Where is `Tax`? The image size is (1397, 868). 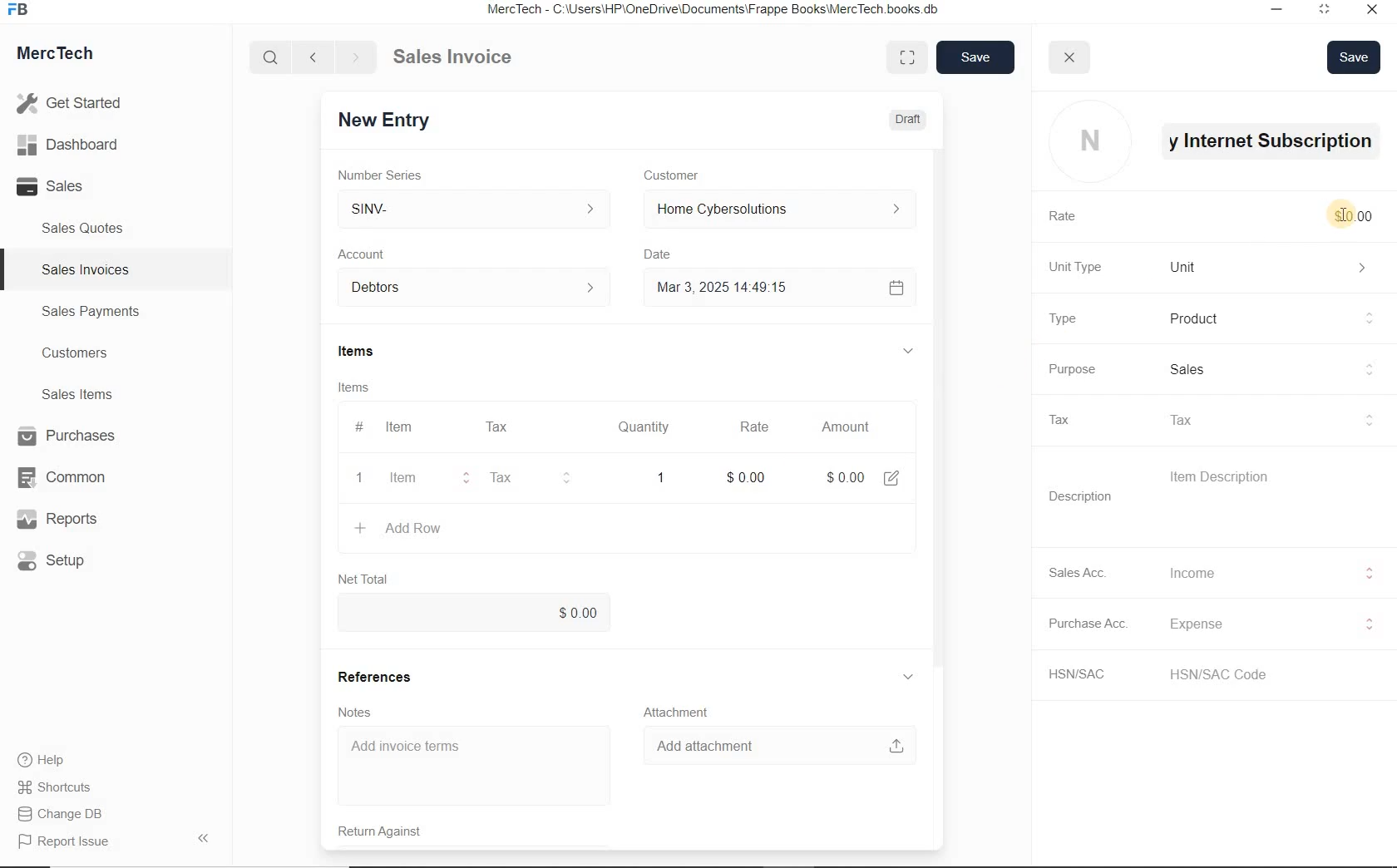
Tax is located at coordinates (518, 478).